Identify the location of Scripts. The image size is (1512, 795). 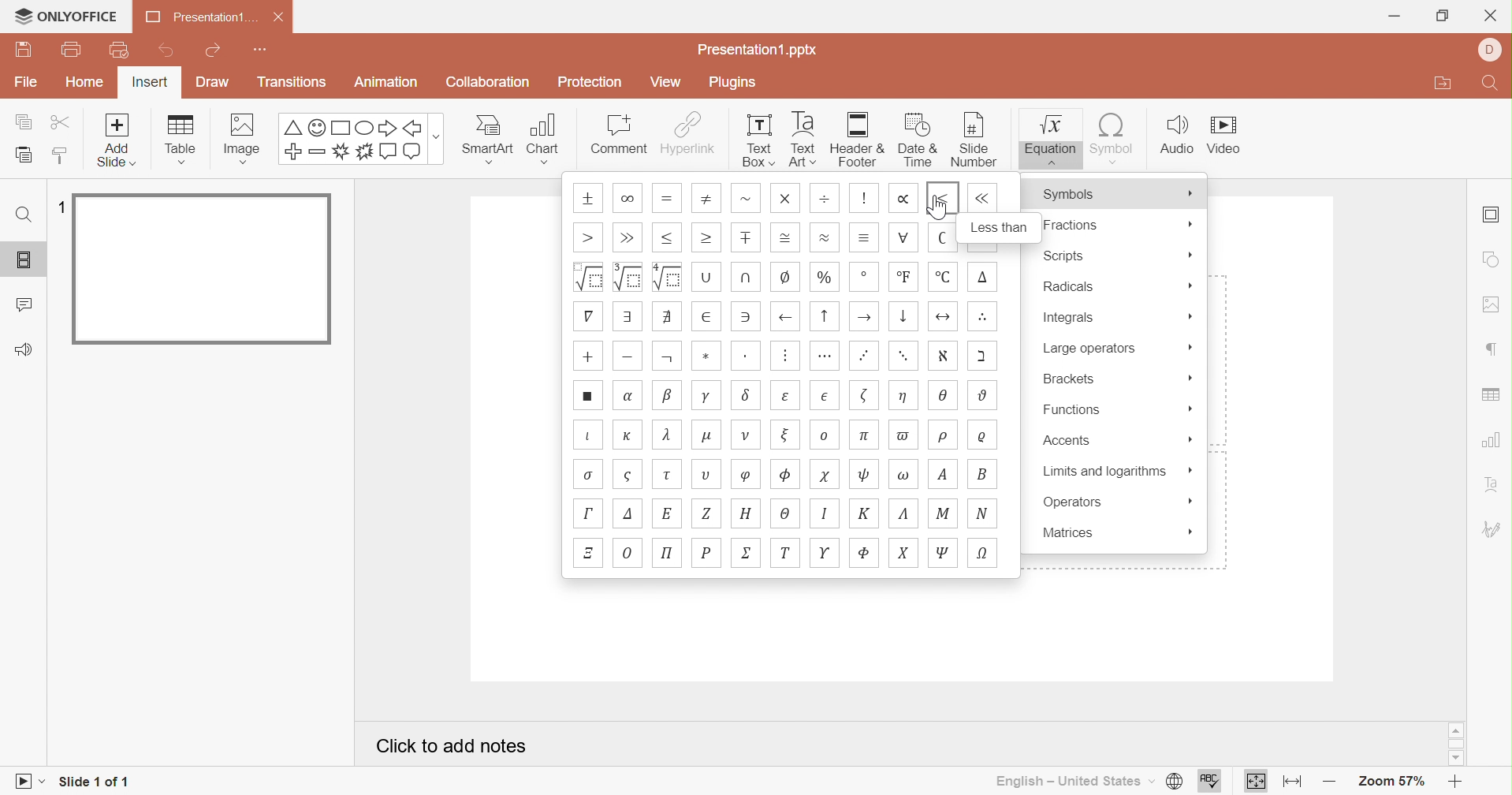
(1118, 252).